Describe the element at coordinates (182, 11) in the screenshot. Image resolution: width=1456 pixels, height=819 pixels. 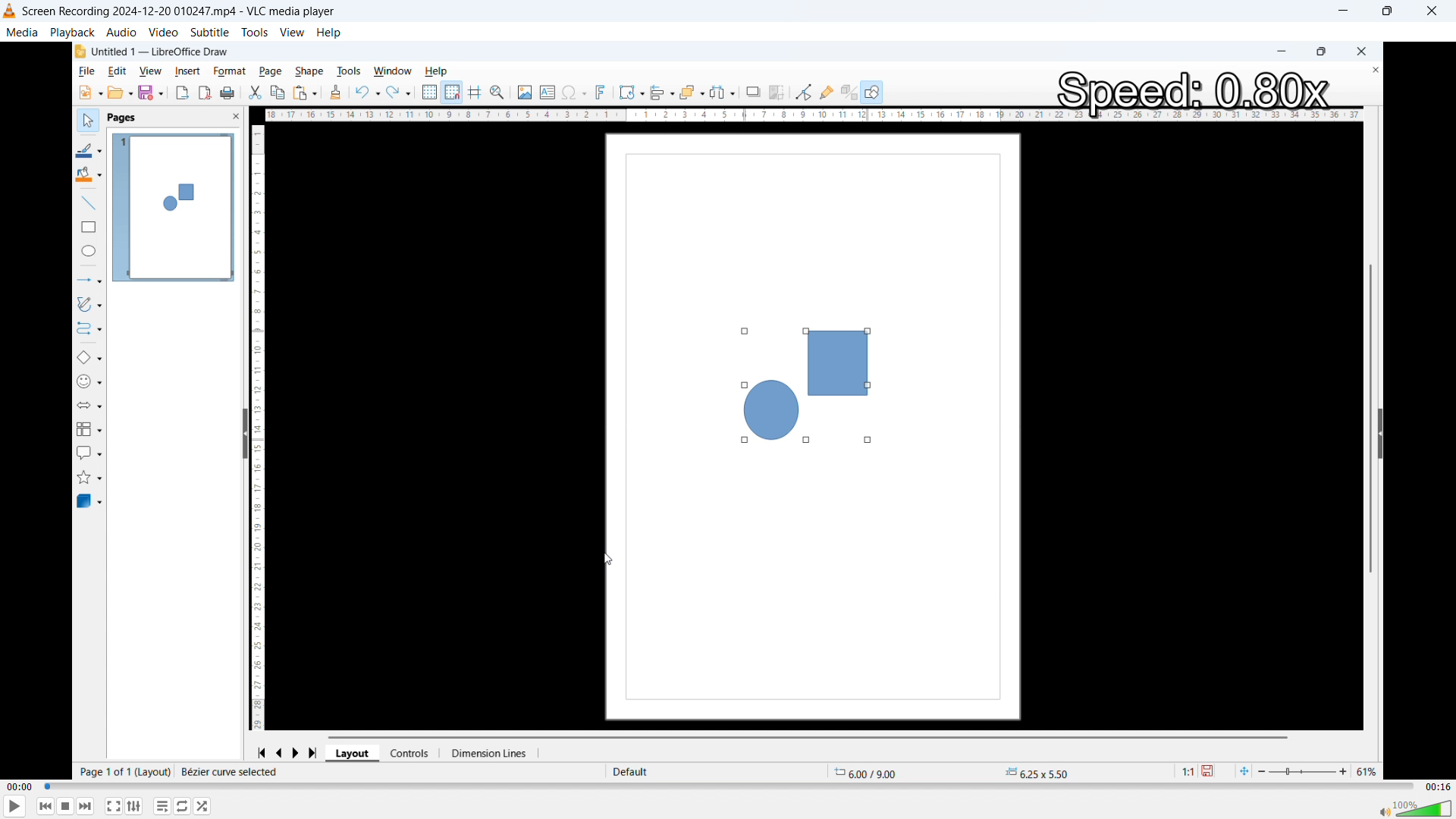
I see `Screen Recording 2024-12-20 010247.mp4 - VLC media player` at that location.